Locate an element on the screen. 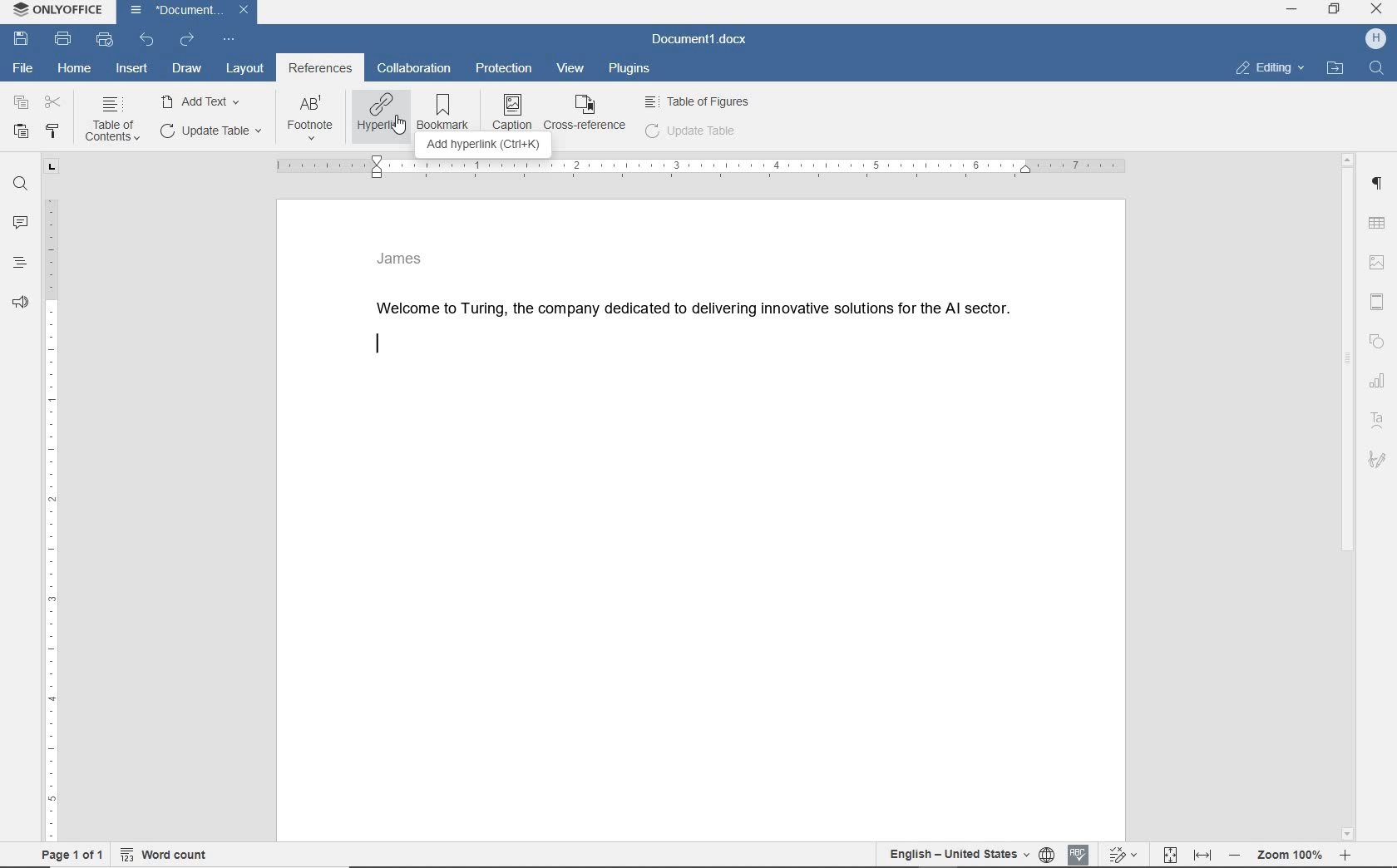 The width and height of the screenshot is (1397, 868). editor line is located at coordinates (378, 345).